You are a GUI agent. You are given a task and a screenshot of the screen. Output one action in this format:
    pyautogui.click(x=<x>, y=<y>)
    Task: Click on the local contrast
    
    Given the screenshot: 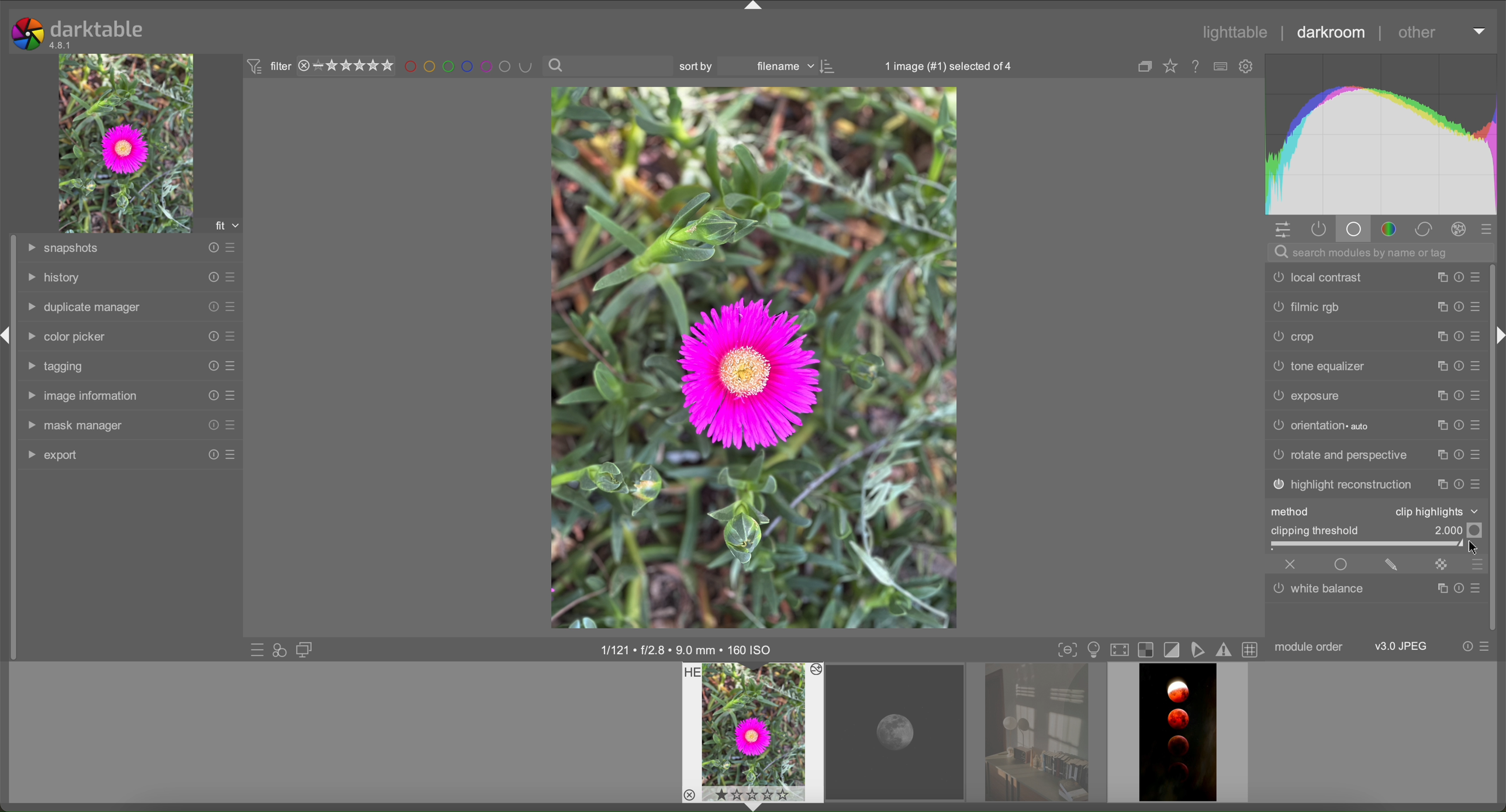 What is the action you would take?
    pyautogui.click(x=1315, y=277)
    